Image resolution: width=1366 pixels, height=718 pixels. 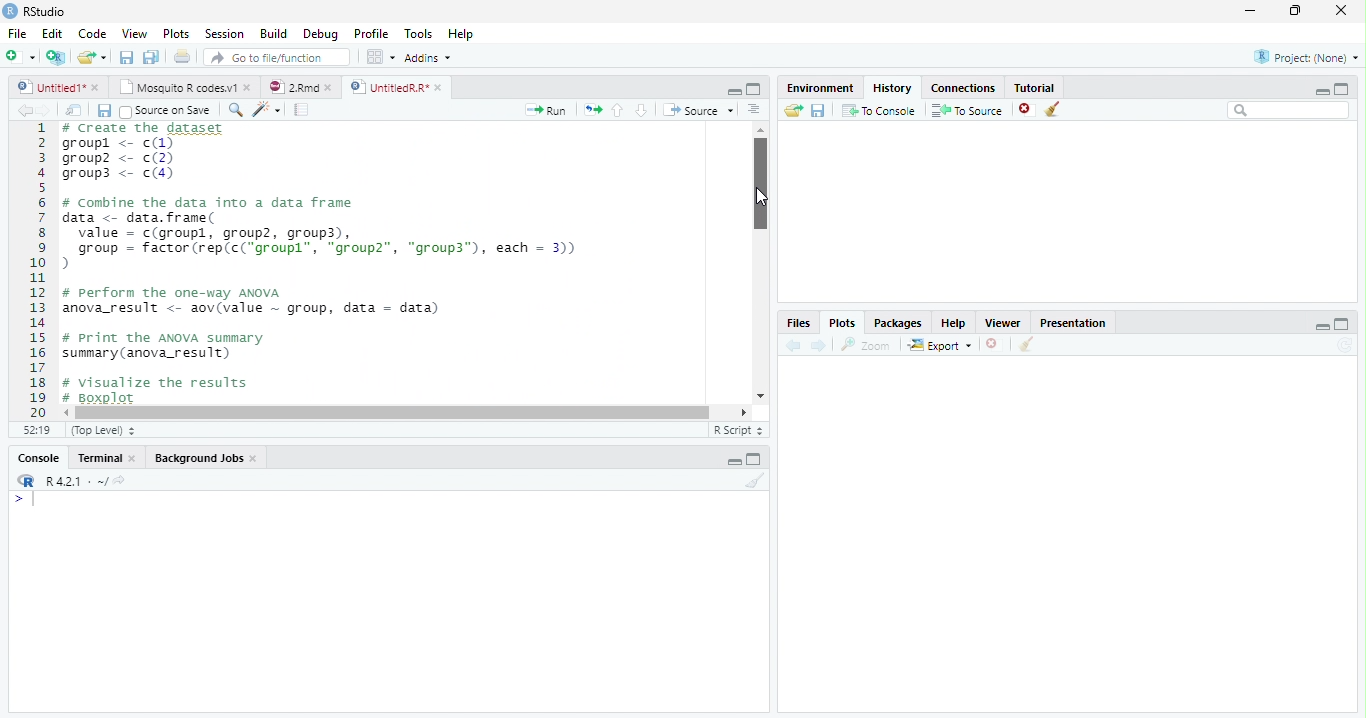 I want to click on To Console, so click(x=879, y=110).